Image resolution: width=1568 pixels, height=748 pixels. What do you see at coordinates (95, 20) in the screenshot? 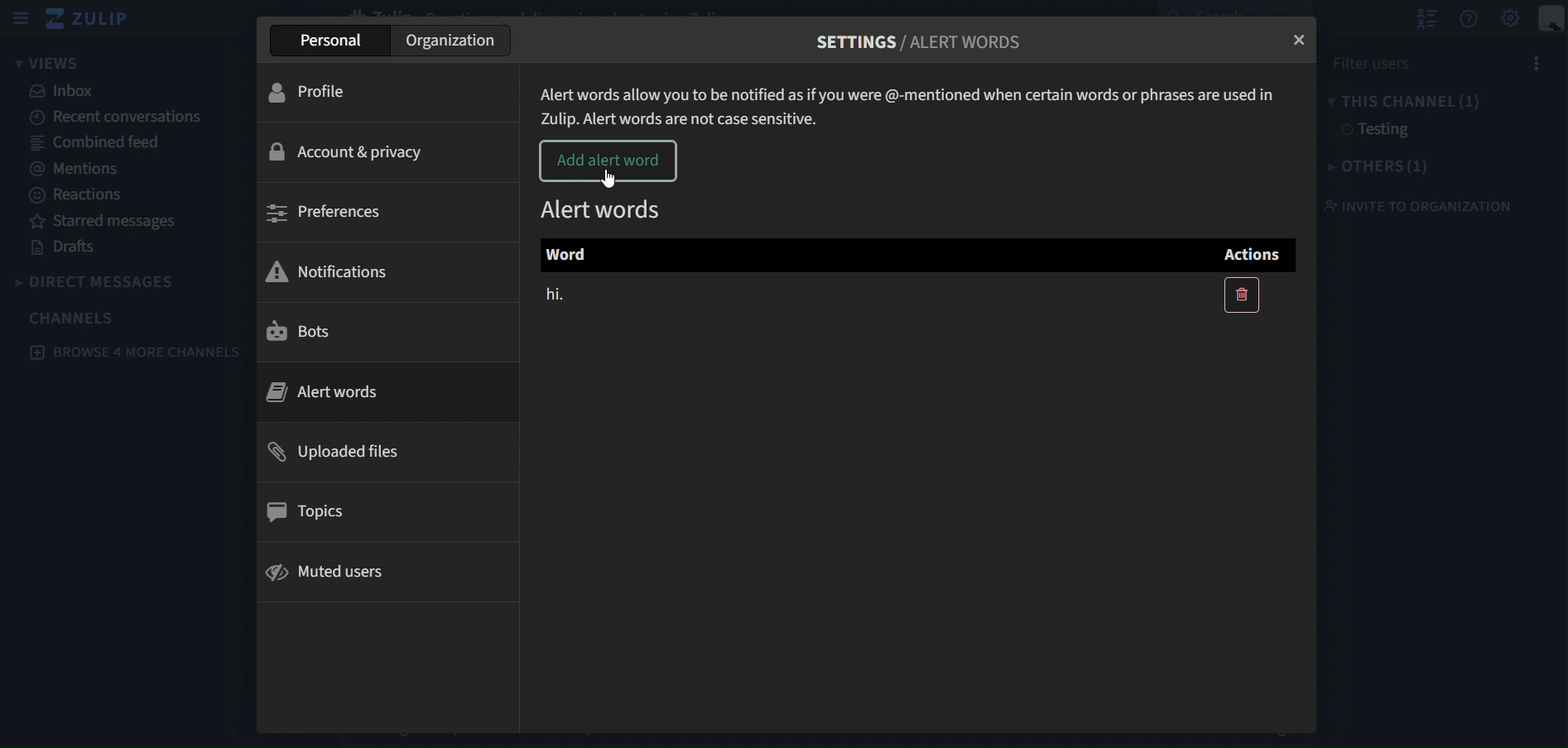
I see `zulip` at bounding box center [95, 20].